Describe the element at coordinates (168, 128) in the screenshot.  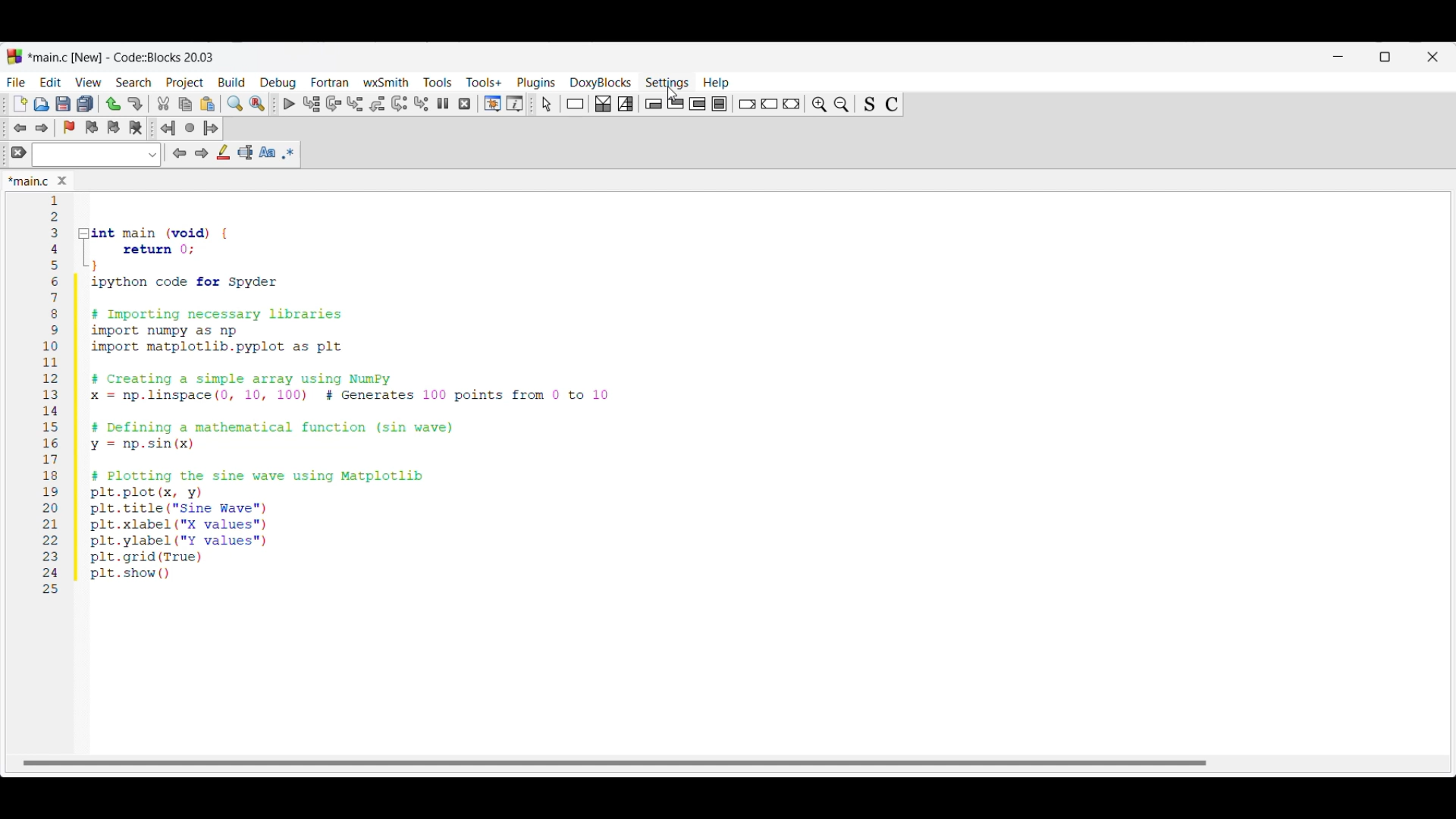
I see `Jump back` at that location.